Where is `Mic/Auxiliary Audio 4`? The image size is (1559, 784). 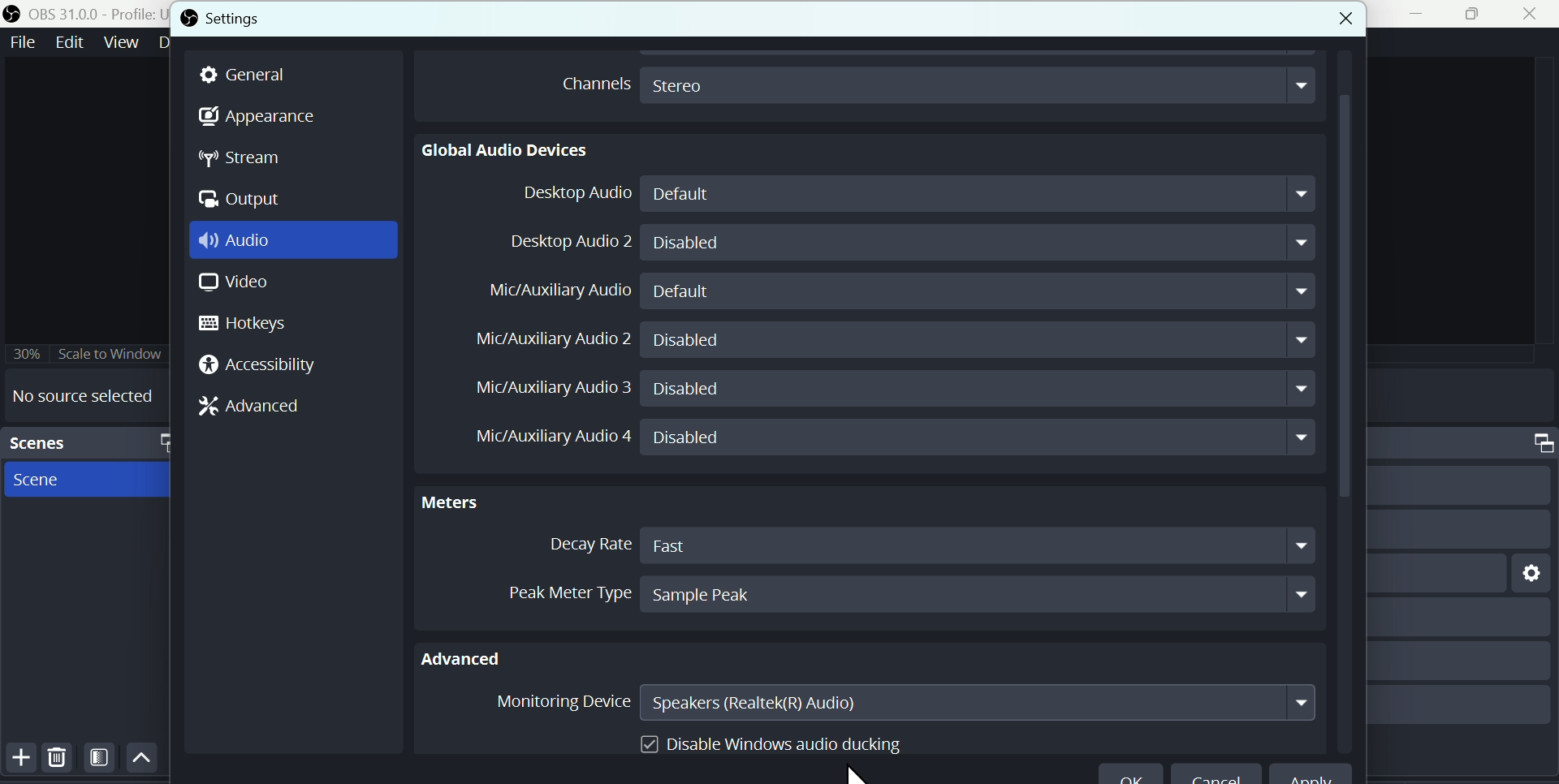 Mic/Auxiliary Audio 4 is located at coordinates (542, 439).